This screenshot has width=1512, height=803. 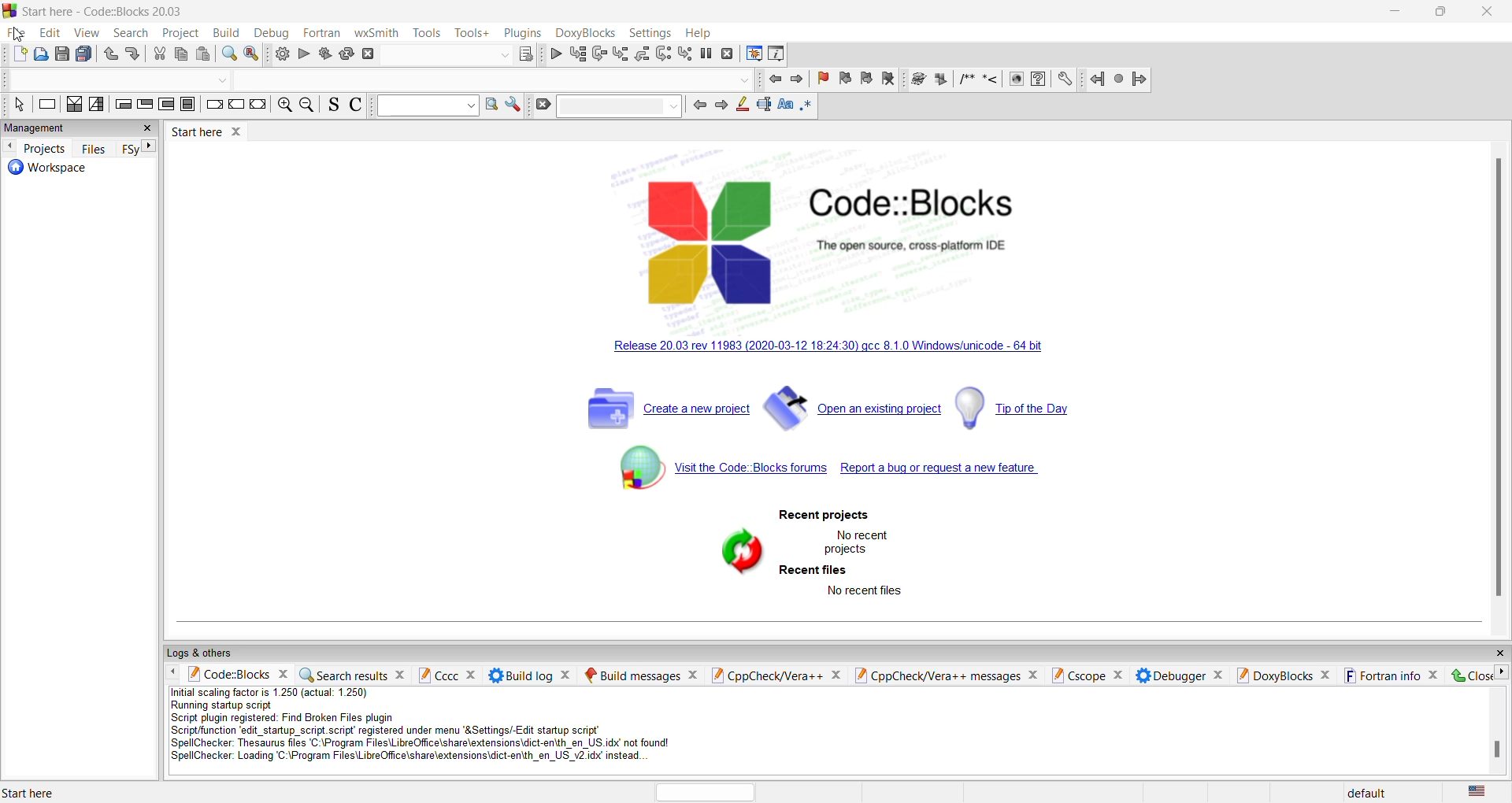 I want to click on text box, so click(x=621, y=105).